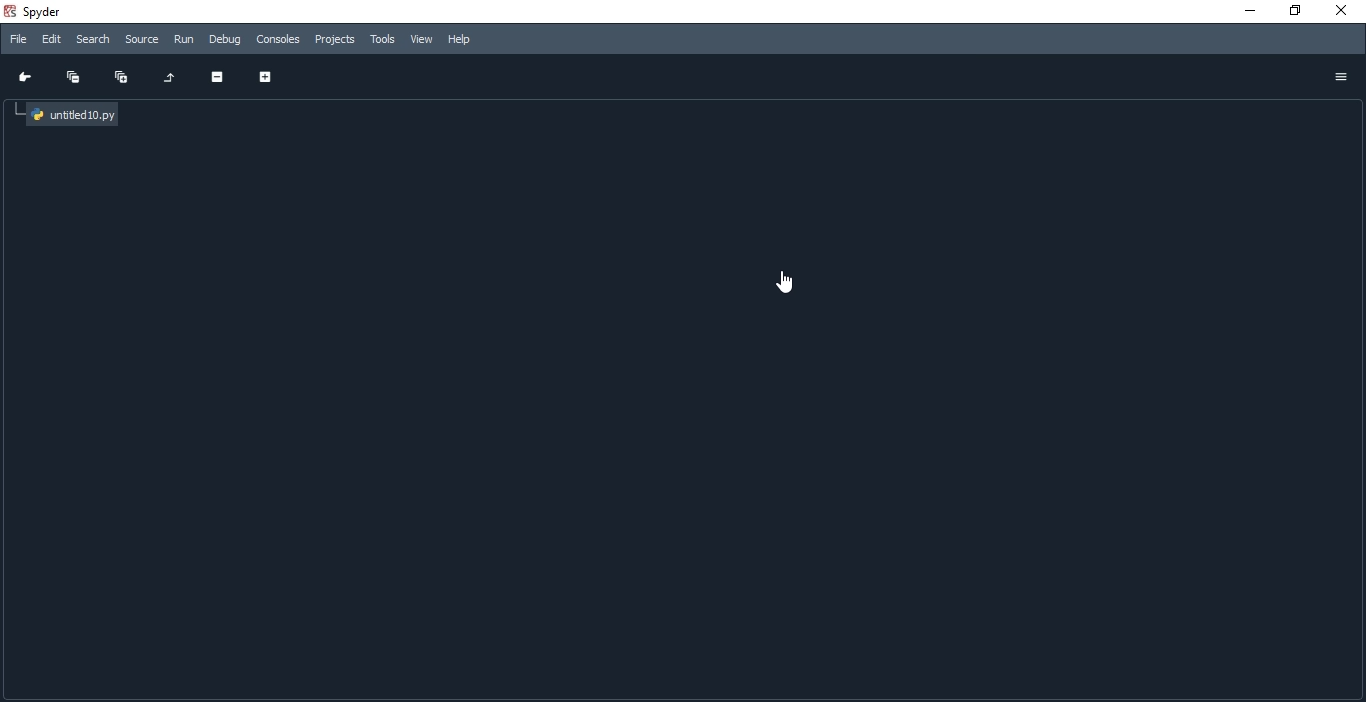  Describe the element at coordinates (460, 38) in the screenshot. I see `Help` at that location.